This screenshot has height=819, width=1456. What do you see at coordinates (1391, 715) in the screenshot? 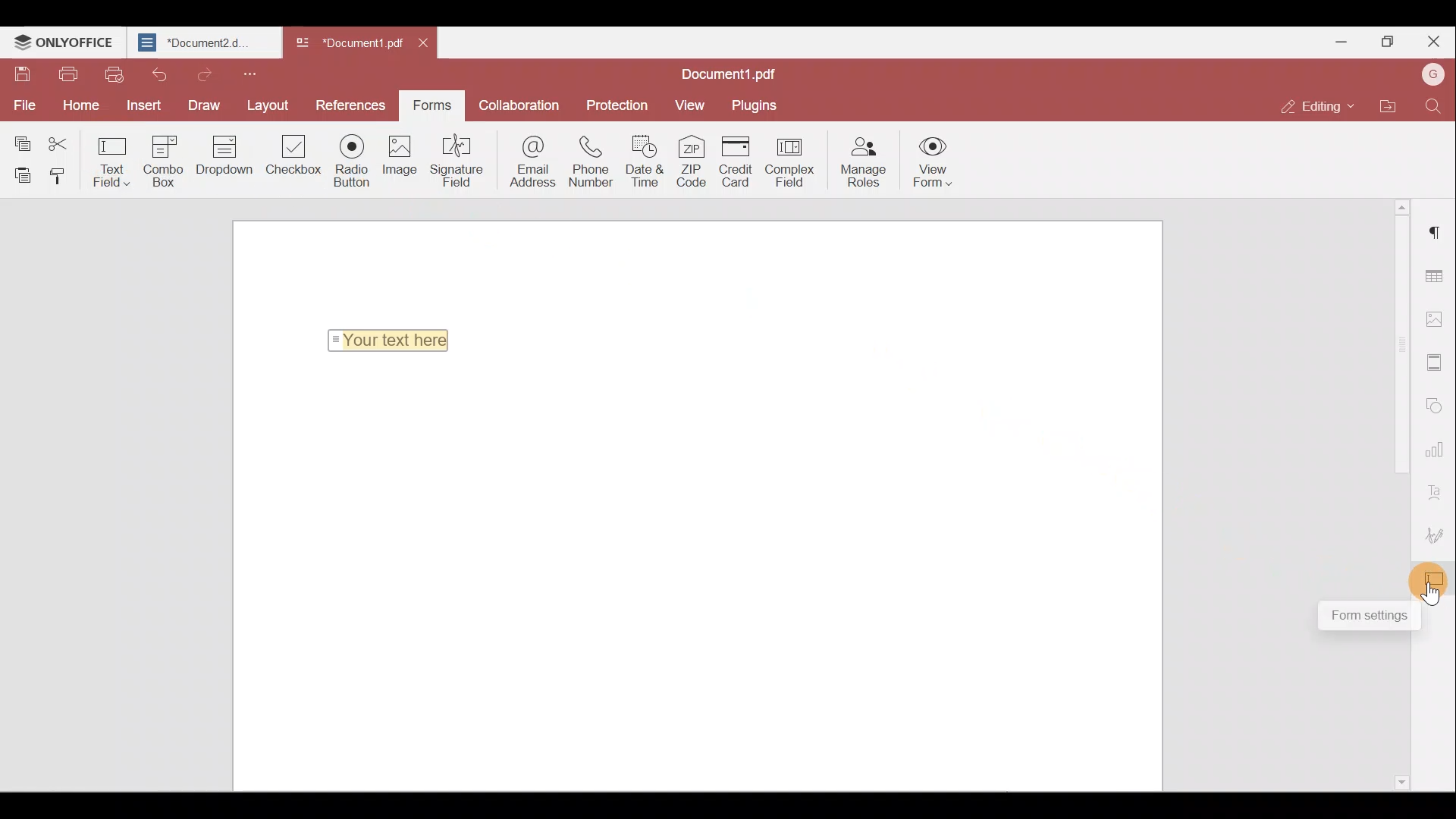
I see `Scroll bar` at bounding box center [1391, 715].